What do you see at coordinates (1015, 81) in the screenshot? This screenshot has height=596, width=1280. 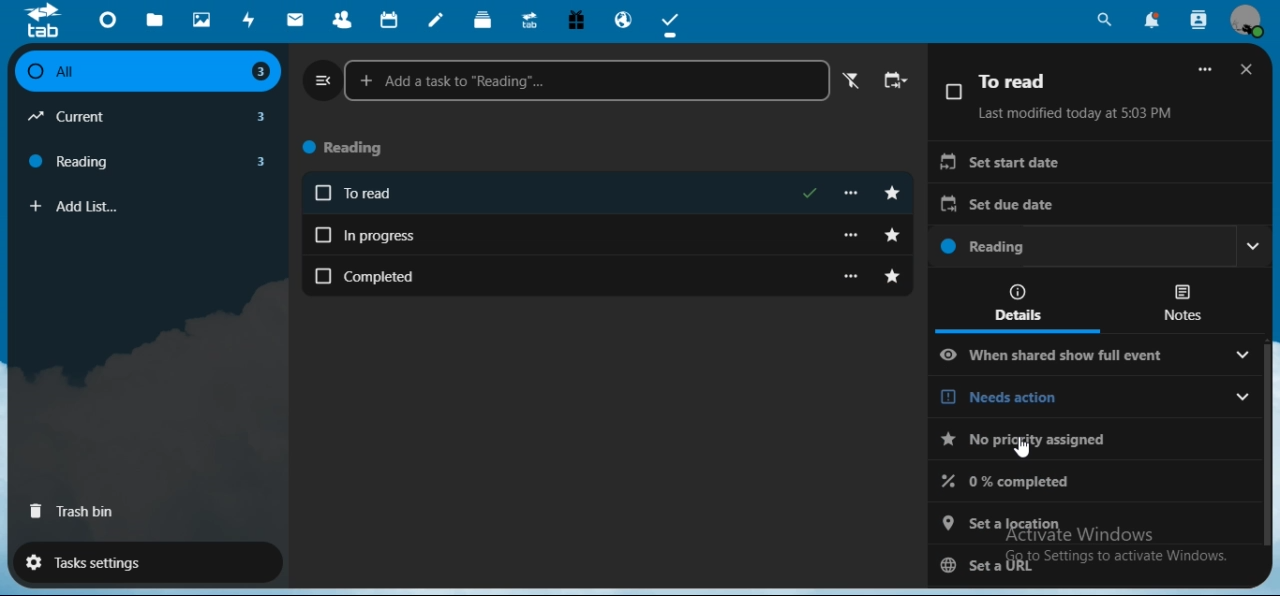 I see `To read` at bounding box center [1015, 81].